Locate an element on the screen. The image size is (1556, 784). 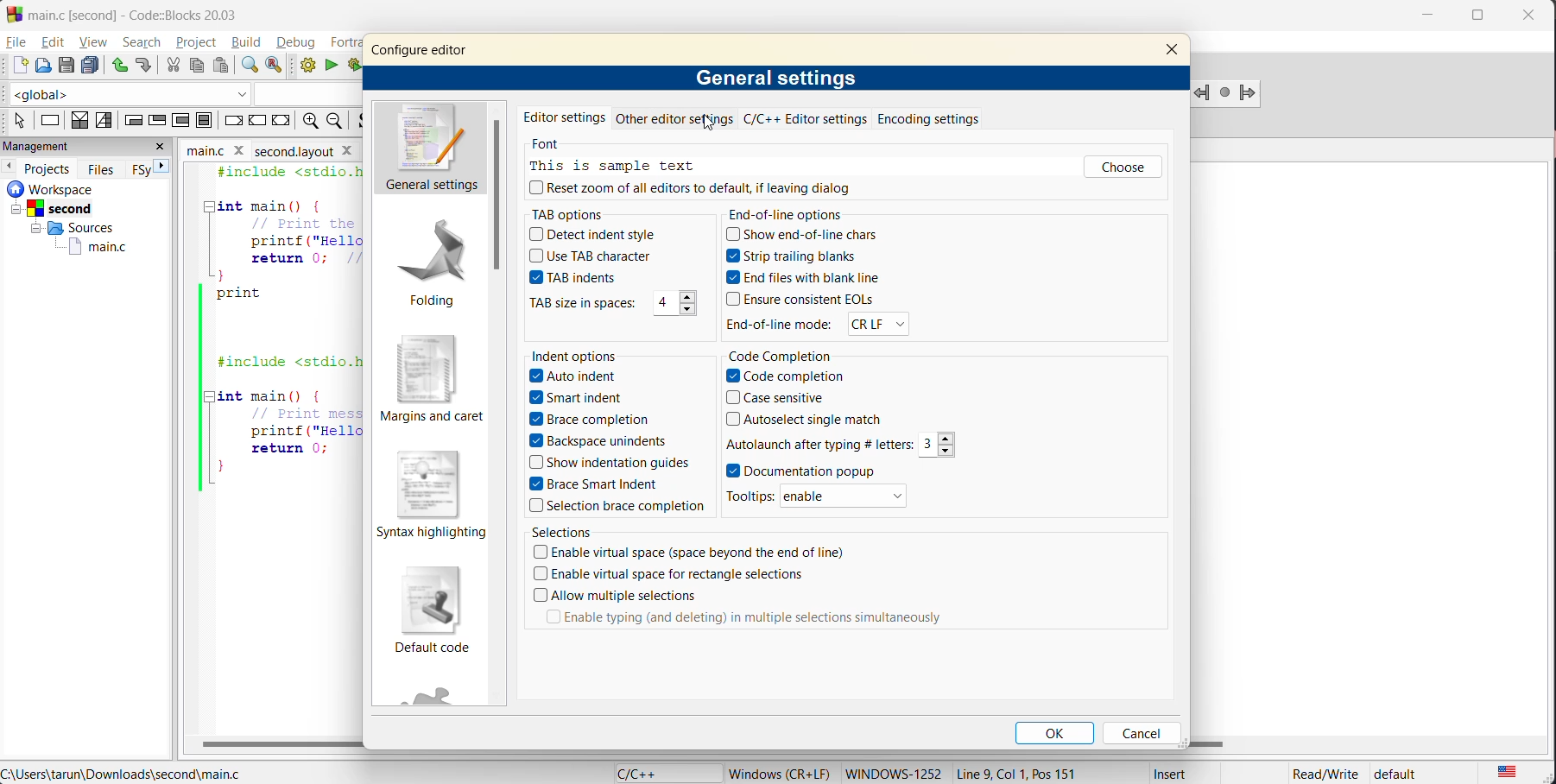
find is located at coordinates (247, 66).